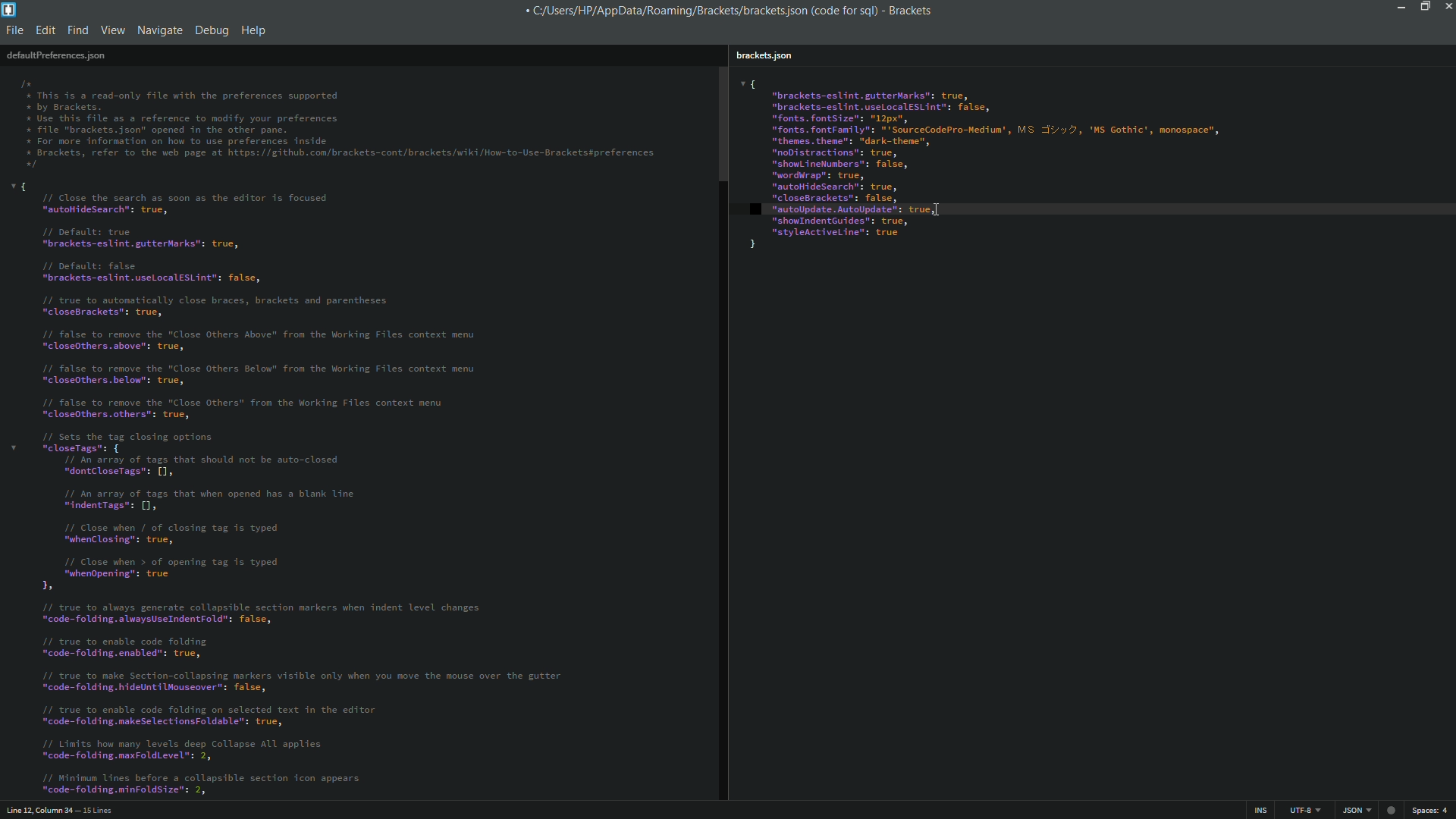 The width and height of the screenshot is (1456, 819). What do you see at coordinates (769, 53) in the screenshot?
I see `brackets.json` at bounding box center [769, 53].